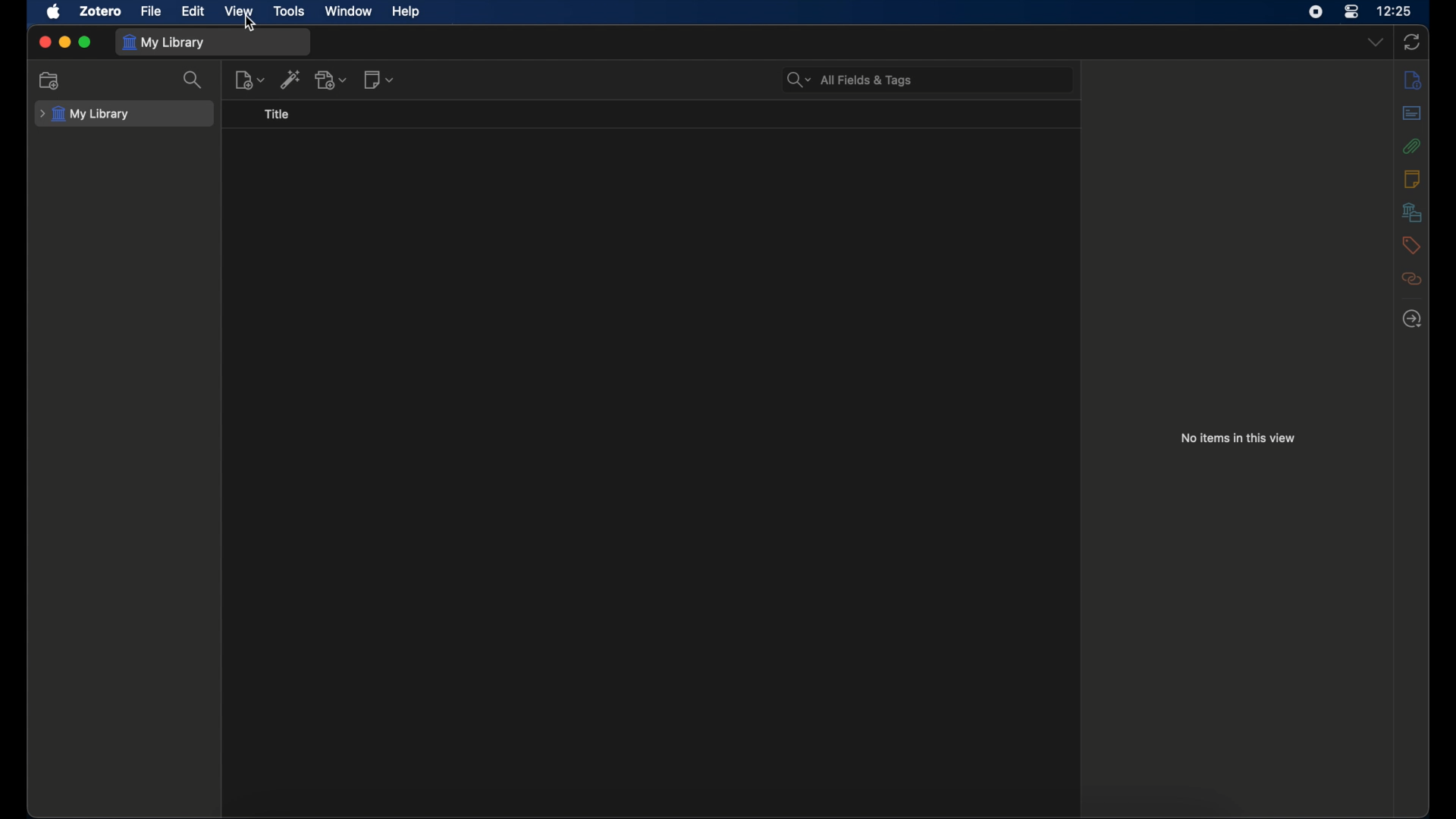  Describe the element at coordinates (276, 115) in the screenshot. I see `title` at that location.